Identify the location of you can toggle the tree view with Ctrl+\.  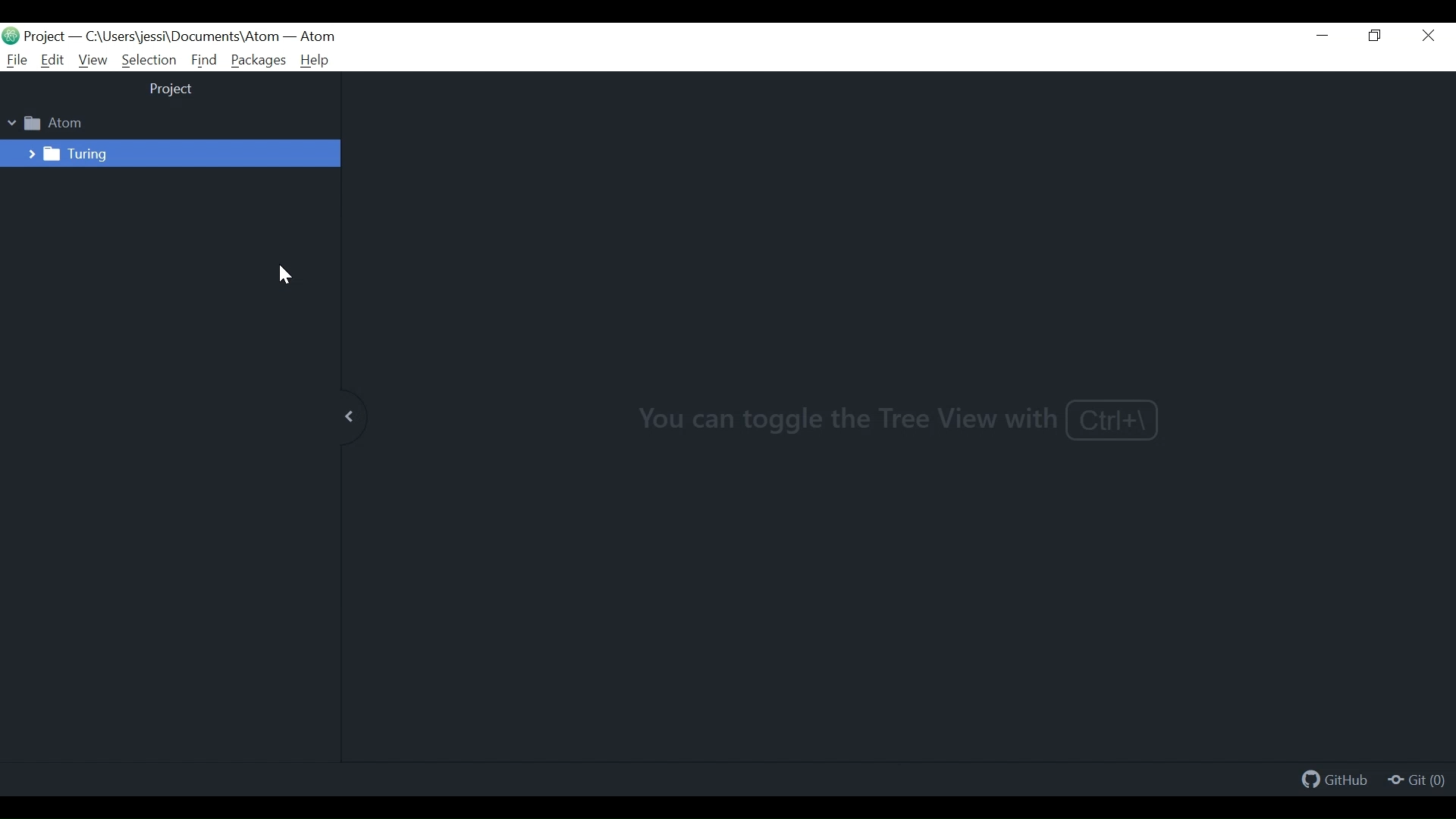
(899, 419).